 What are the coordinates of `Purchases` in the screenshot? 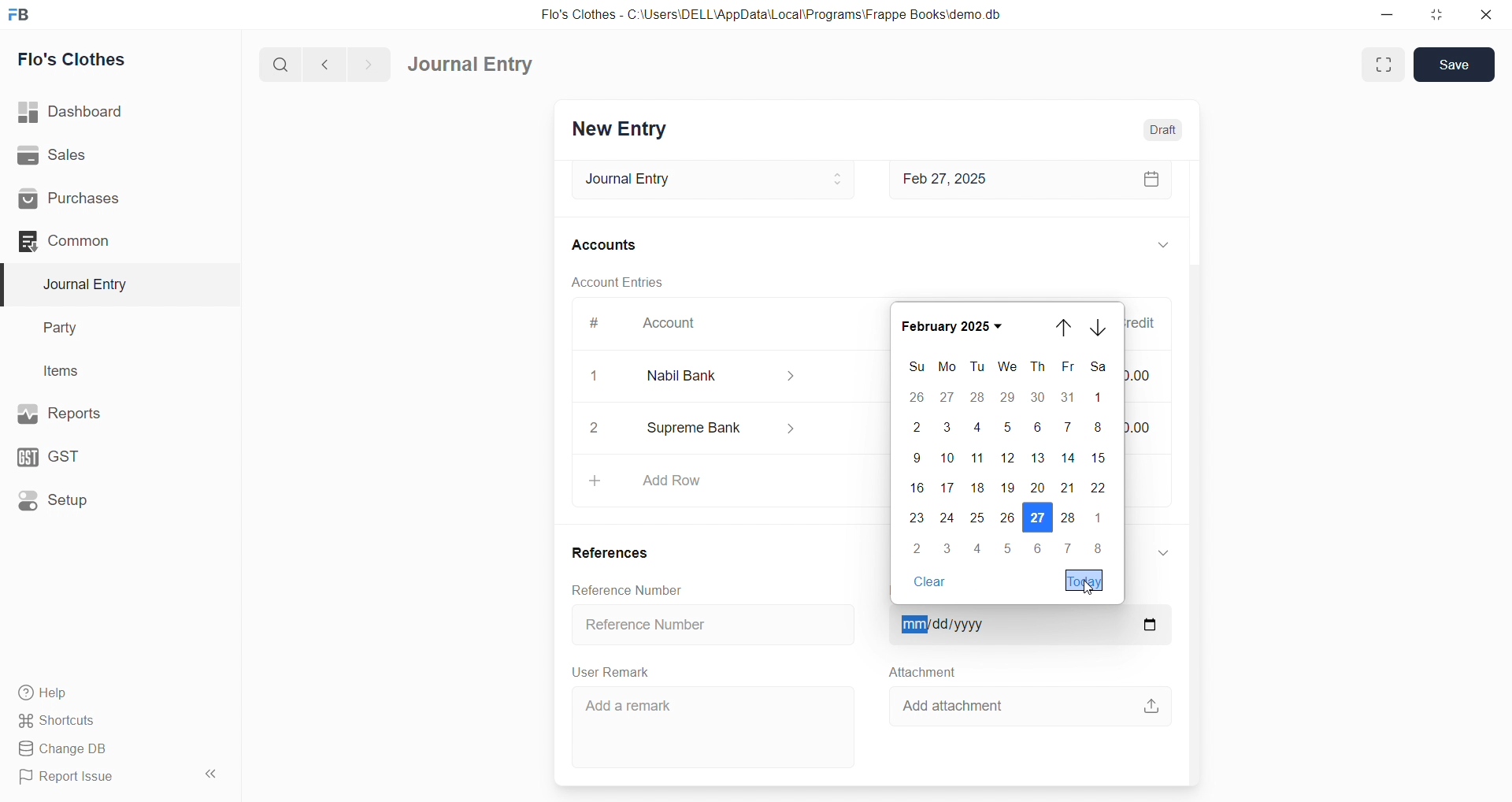 It's located at (95, 200).